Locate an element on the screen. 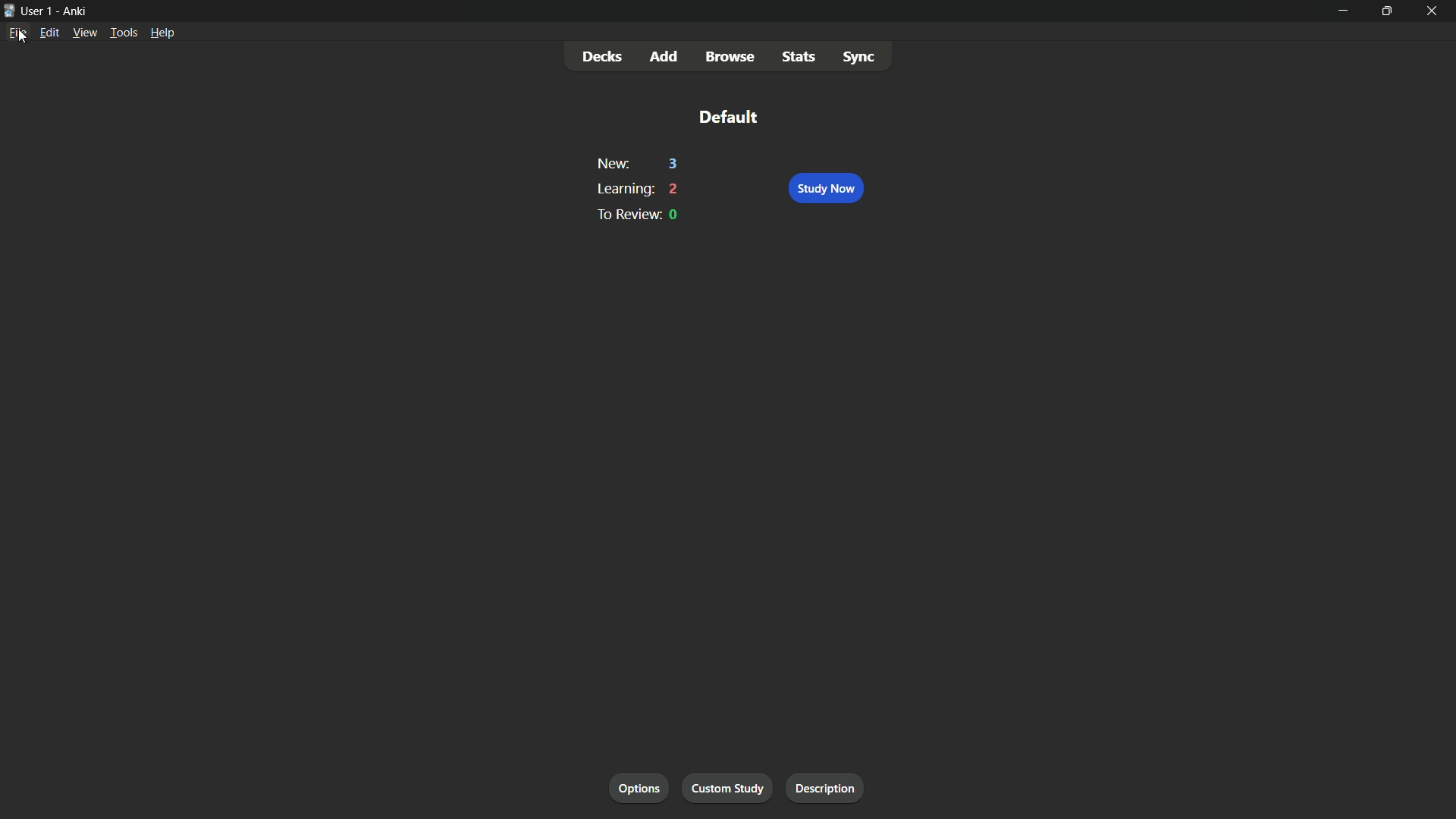 Image resolution: width=1456 pixels, height=819 pixels. cursor is located at coordinates (20, 39).